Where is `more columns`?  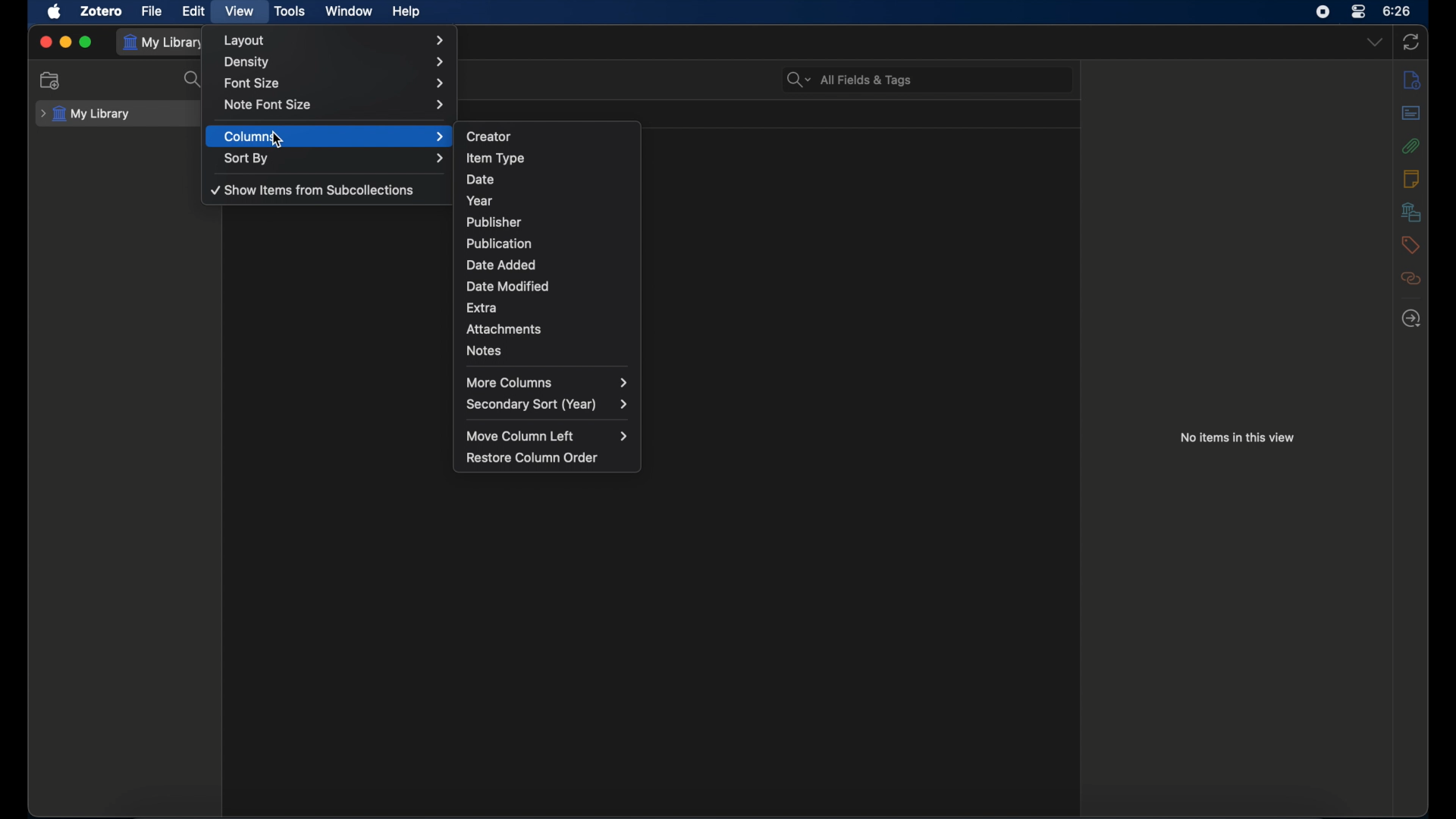 more columns is located at coordinates (547, 382).